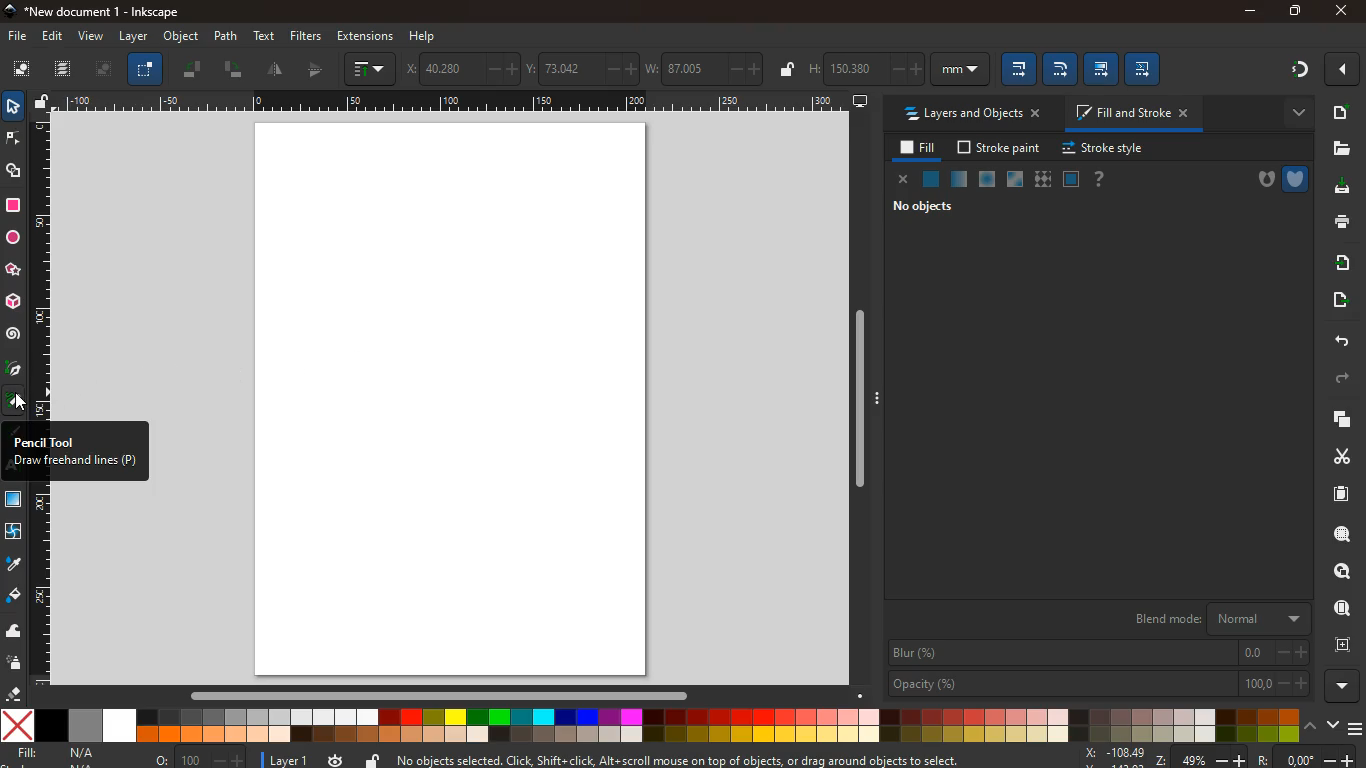  Describe the element at coordinates (422, 37) in the screenshot. I see `help` at that location.